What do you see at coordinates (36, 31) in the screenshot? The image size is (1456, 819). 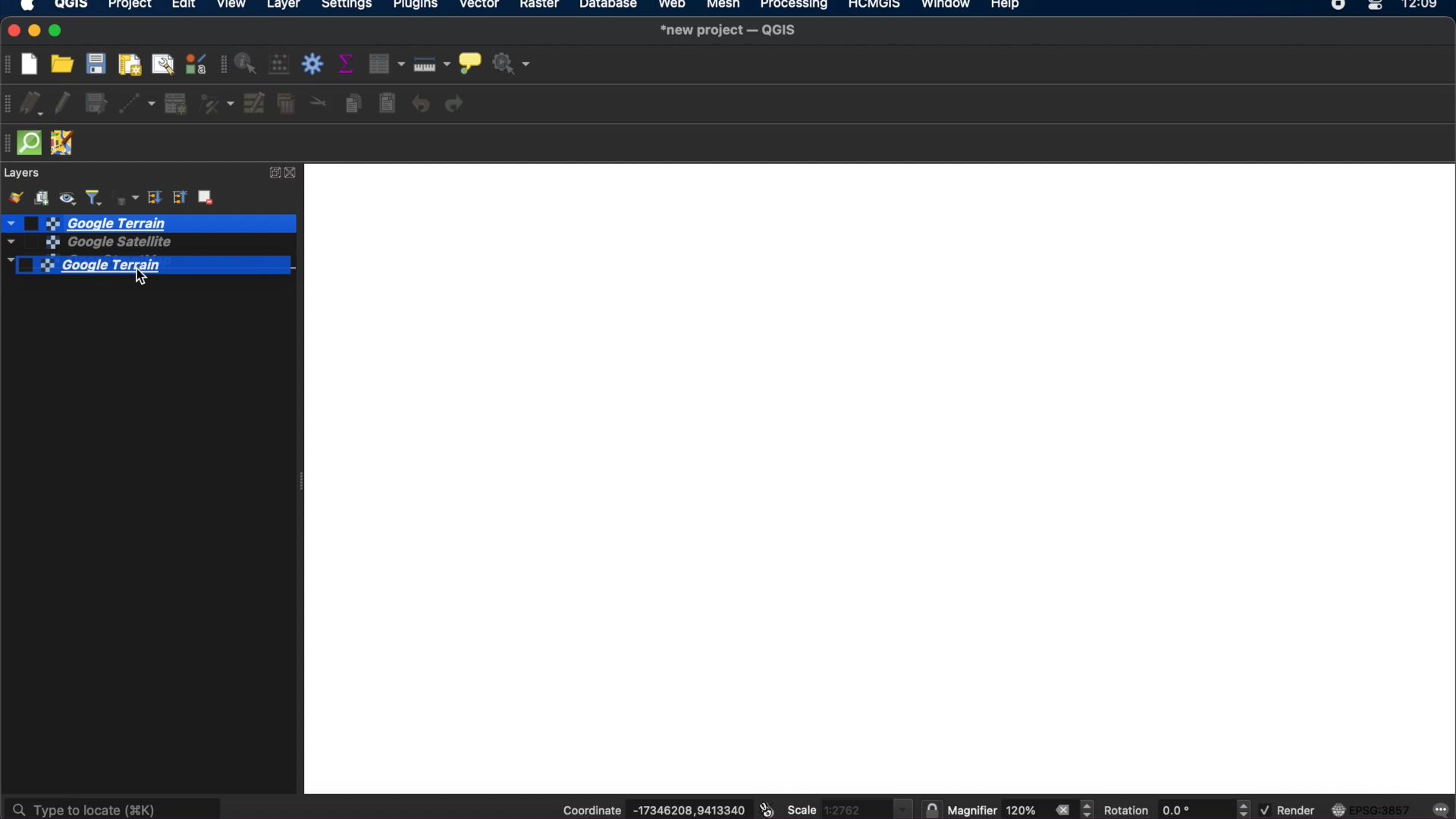 I see `minimize` at bounding box center [36, 31].